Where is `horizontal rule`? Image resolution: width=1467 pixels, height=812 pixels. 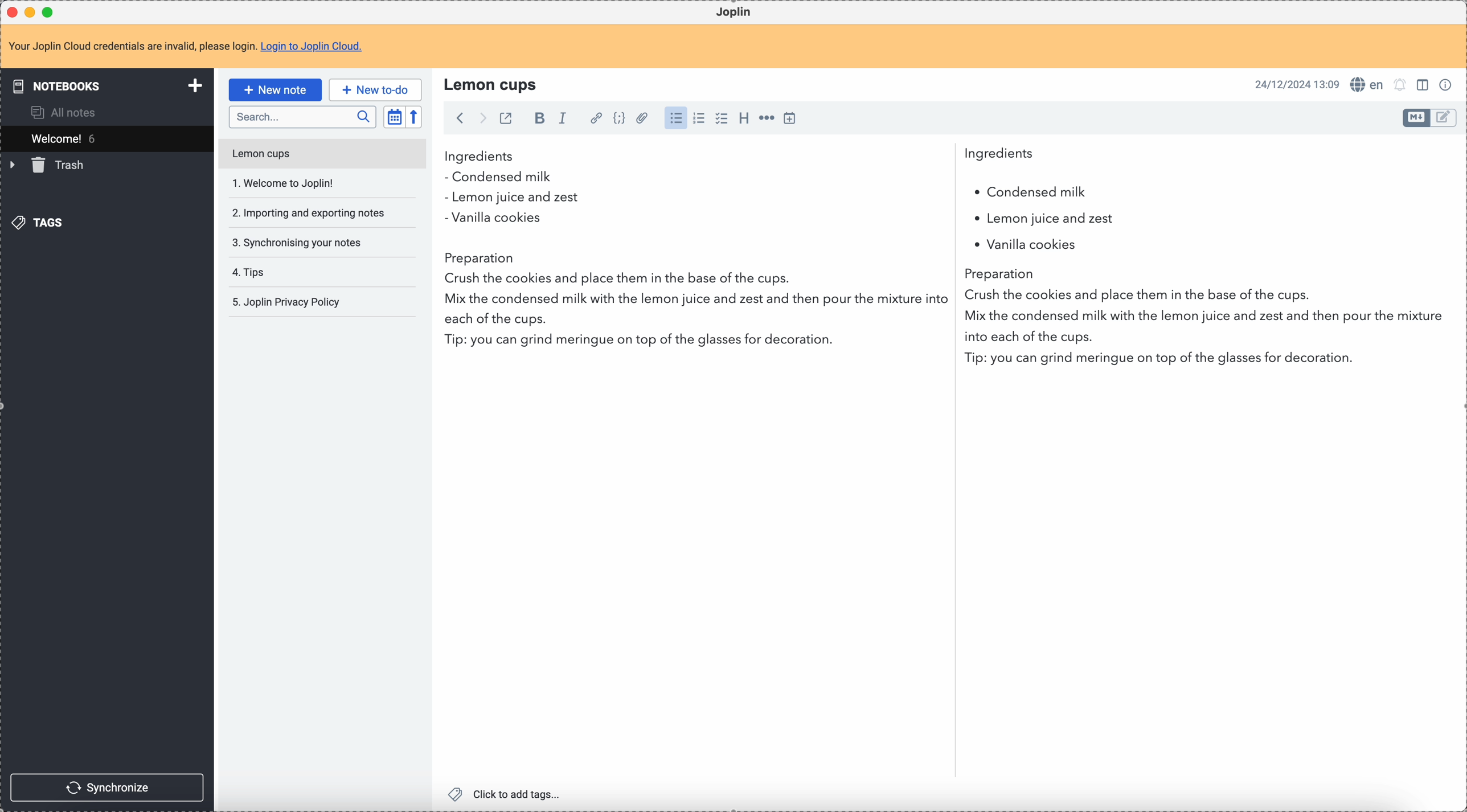
horizontal rule is located at coordinates (765, 120).